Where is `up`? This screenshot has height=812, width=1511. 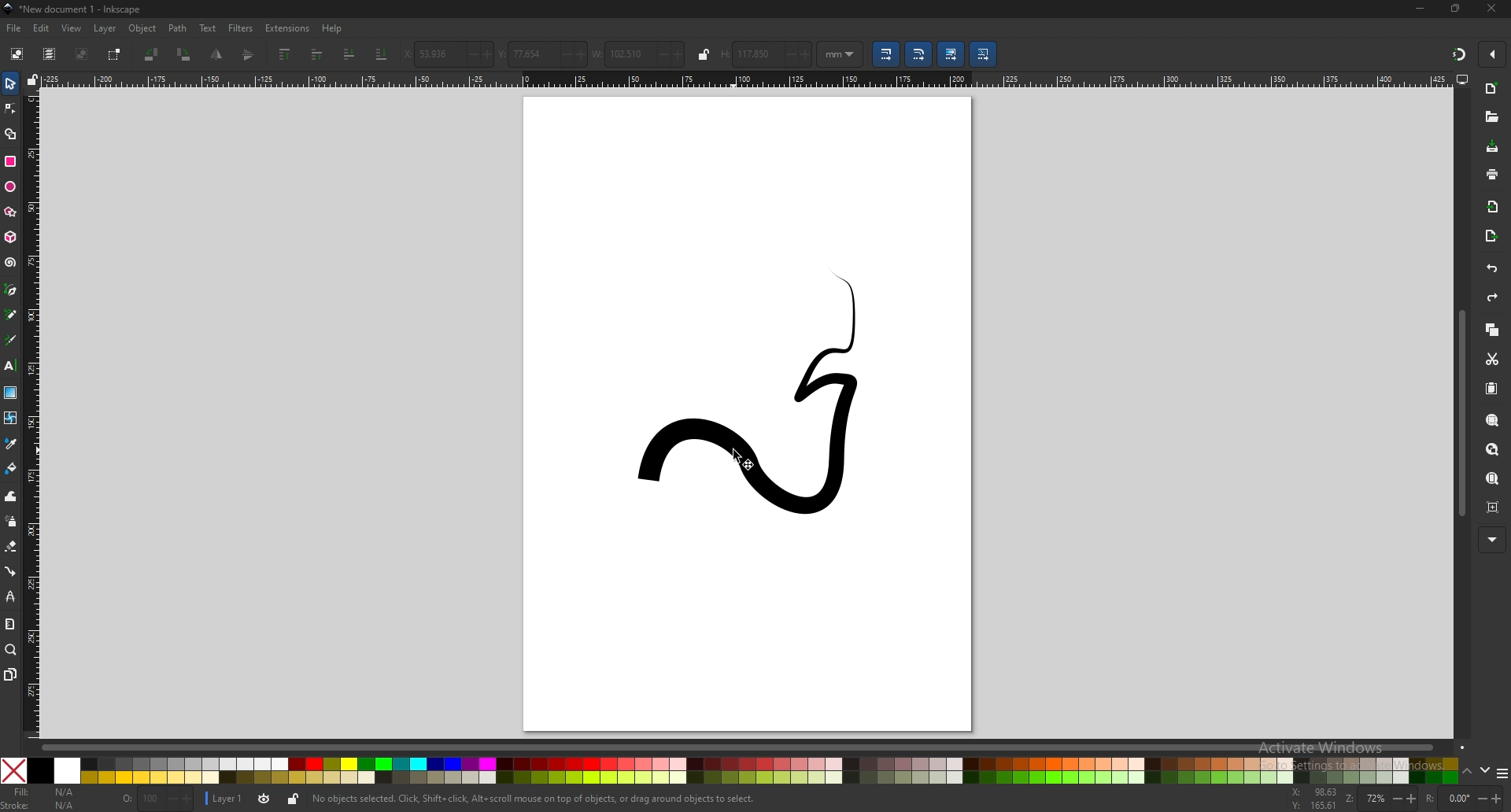 up is located at coordinates (1468, 772).